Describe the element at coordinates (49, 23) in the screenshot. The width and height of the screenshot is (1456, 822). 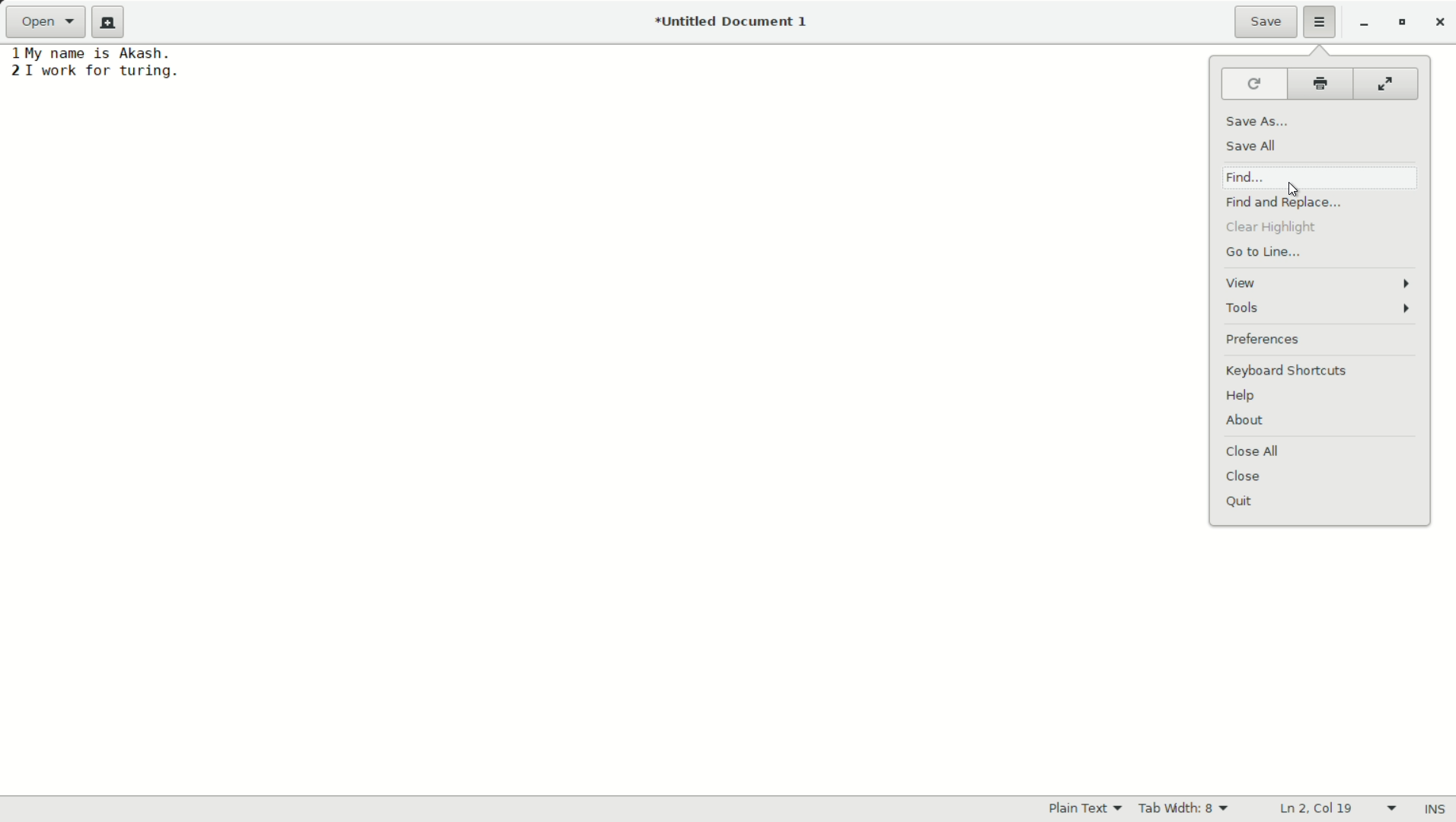
I see `open a file` at that location.